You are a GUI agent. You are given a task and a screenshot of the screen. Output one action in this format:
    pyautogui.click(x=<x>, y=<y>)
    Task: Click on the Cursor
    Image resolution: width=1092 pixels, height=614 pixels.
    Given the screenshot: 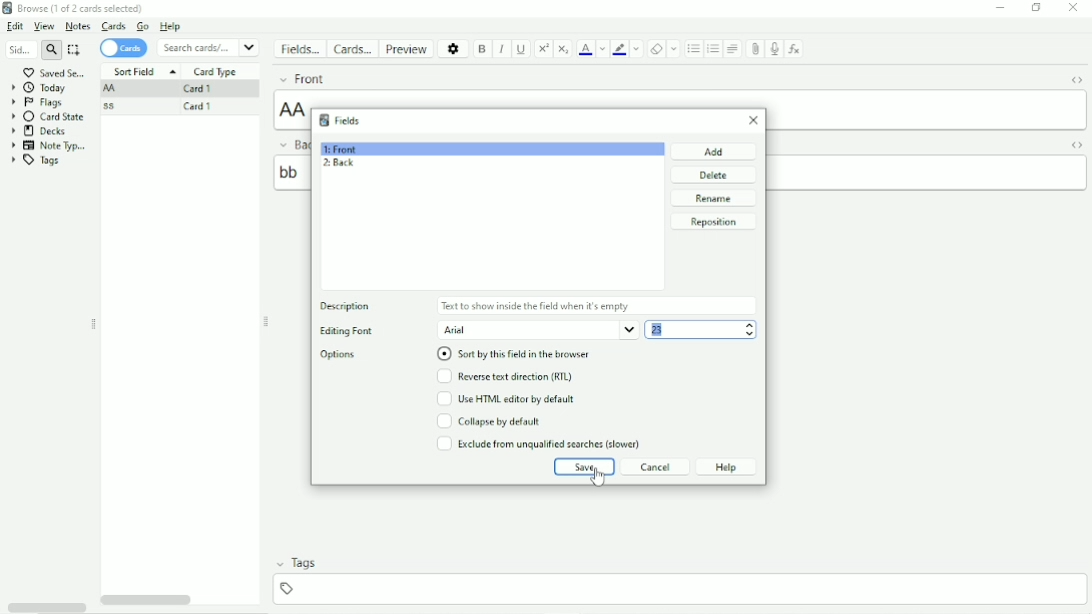 What is the action you would take?
    pyautogui.click(x=598, y=477)
    